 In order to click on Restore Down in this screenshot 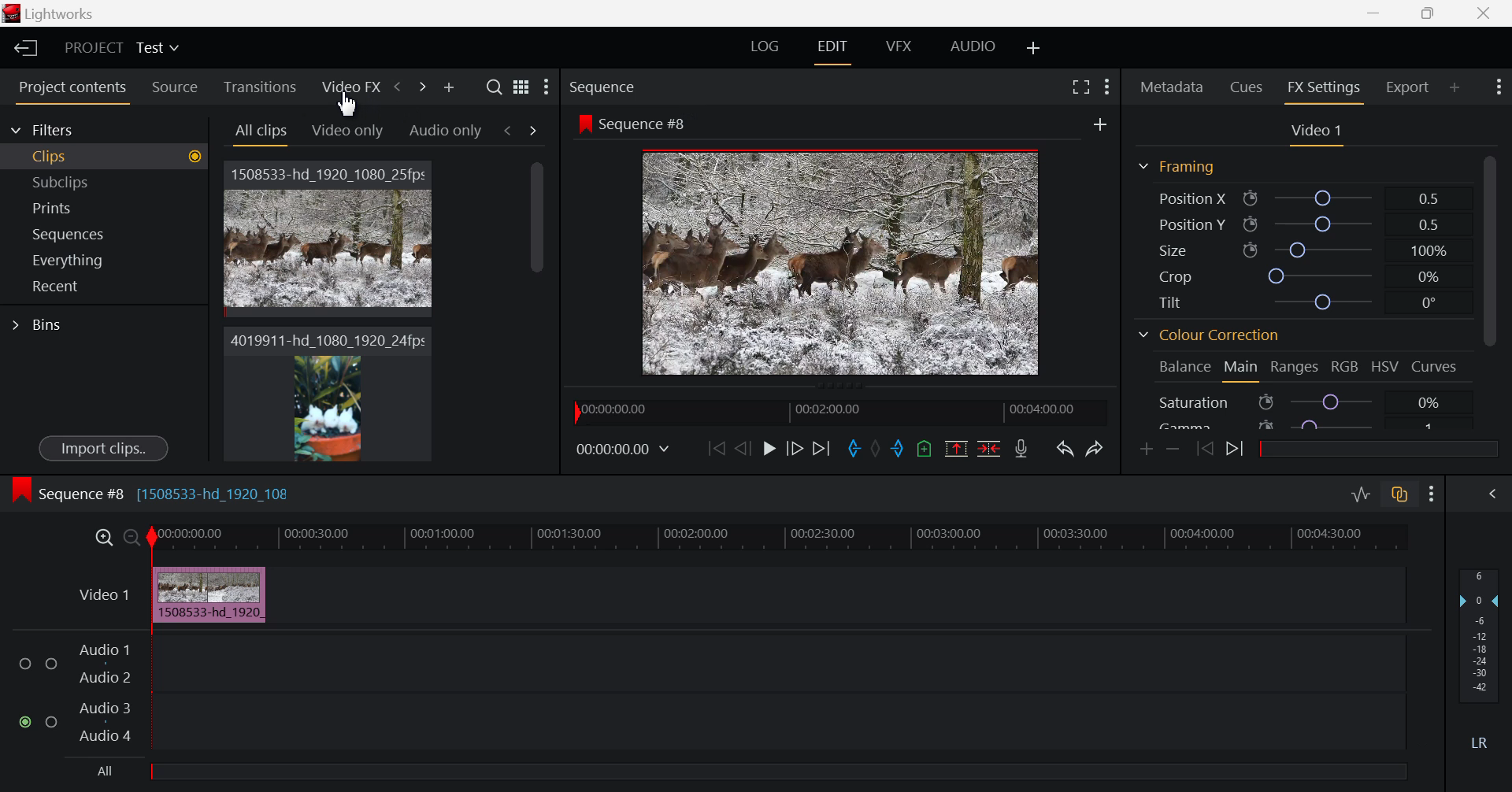, I will do `click(1379, 13)`.